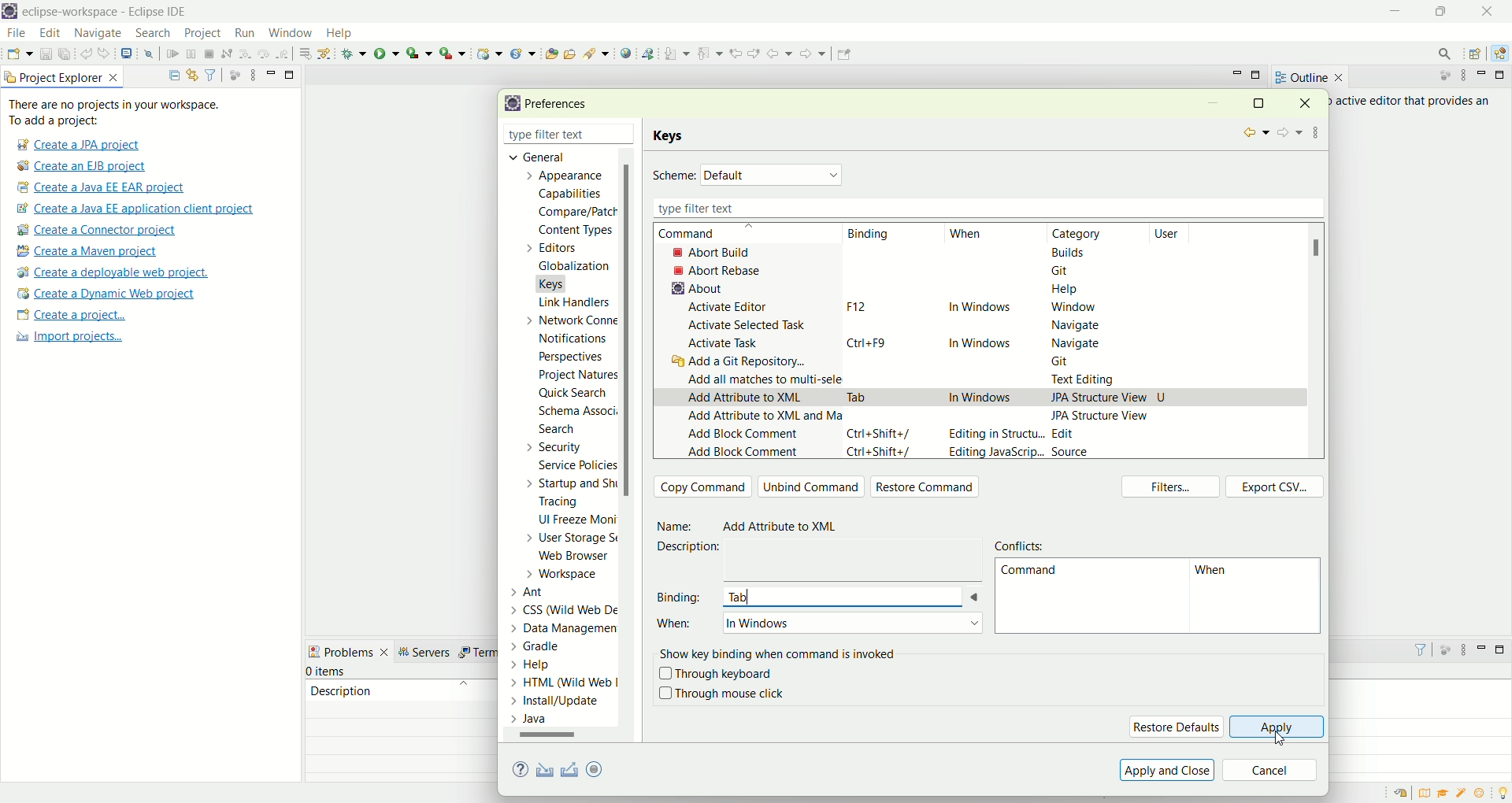 The width and height of the screenshot is (1512, 803). I want to click on term, so click(476, 653).